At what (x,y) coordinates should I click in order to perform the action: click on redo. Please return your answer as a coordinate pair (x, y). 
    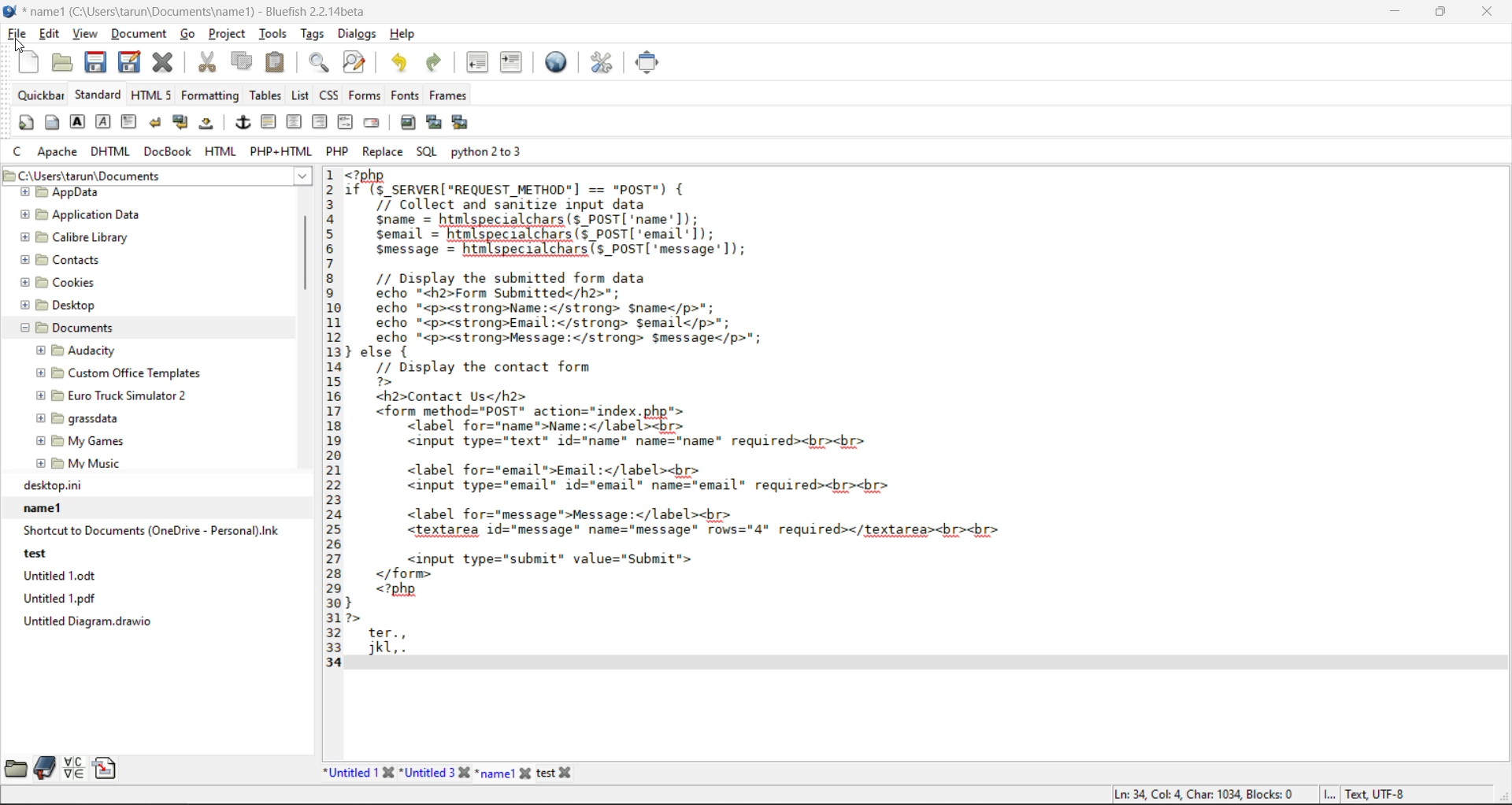
    Looking at the image, I should click on (437, 62).